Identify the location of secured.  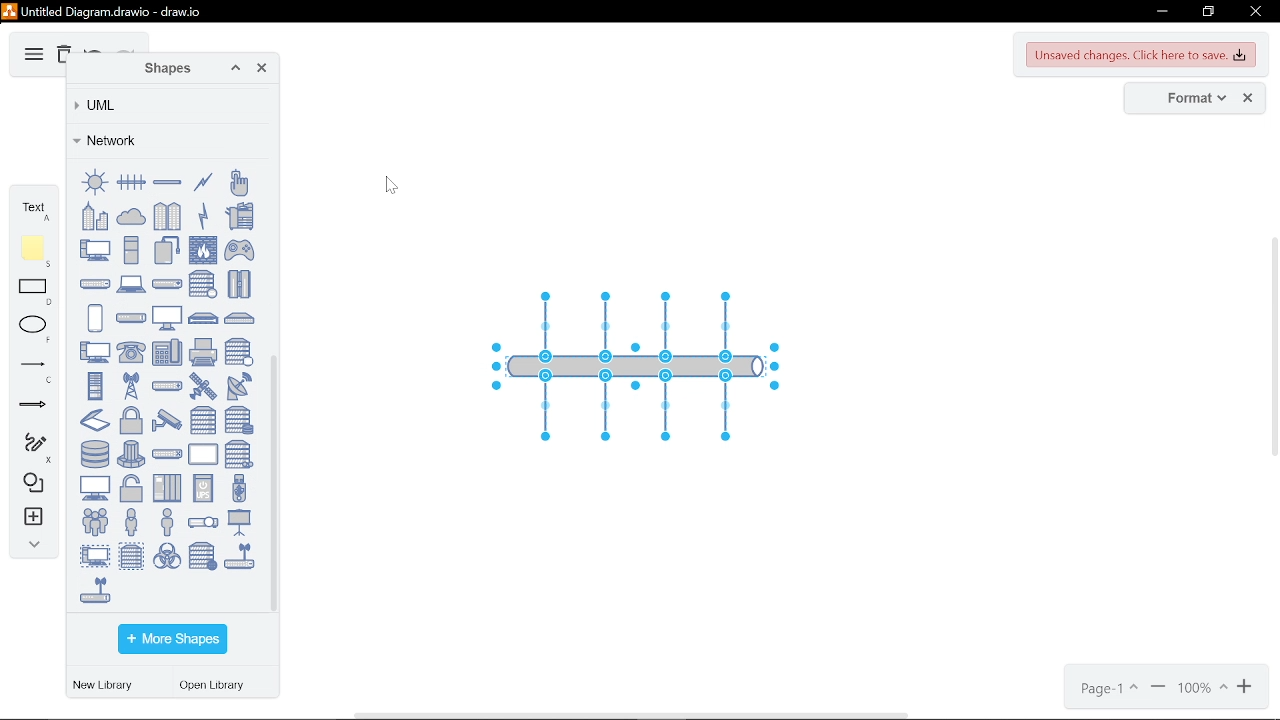
(131, 421).